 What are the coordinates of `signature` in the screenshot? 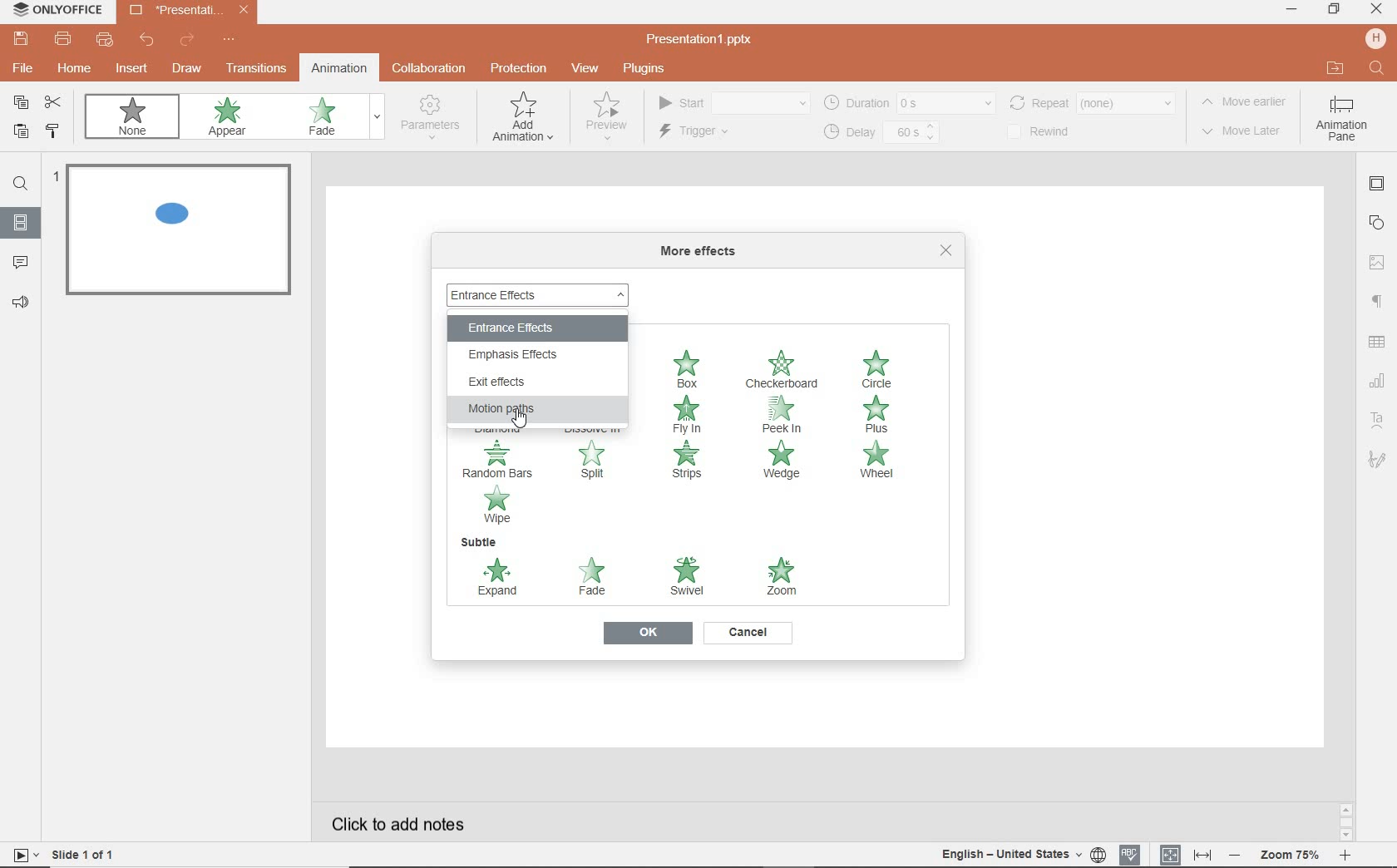 It's located at (1377, 461).